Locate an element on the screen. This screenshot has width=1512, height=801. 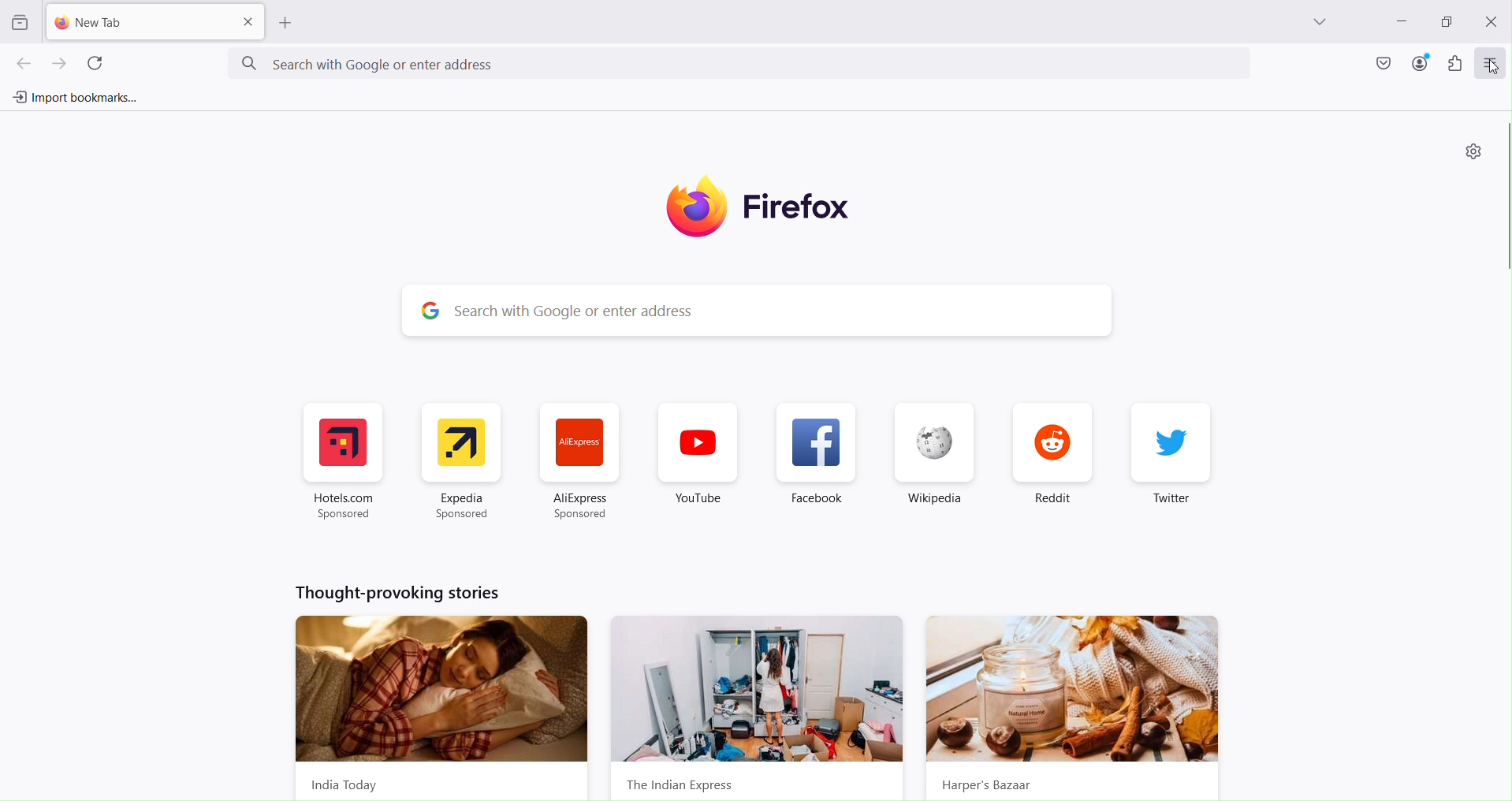
Ali express Web Shortcaut is located at coordinates (581, 464).